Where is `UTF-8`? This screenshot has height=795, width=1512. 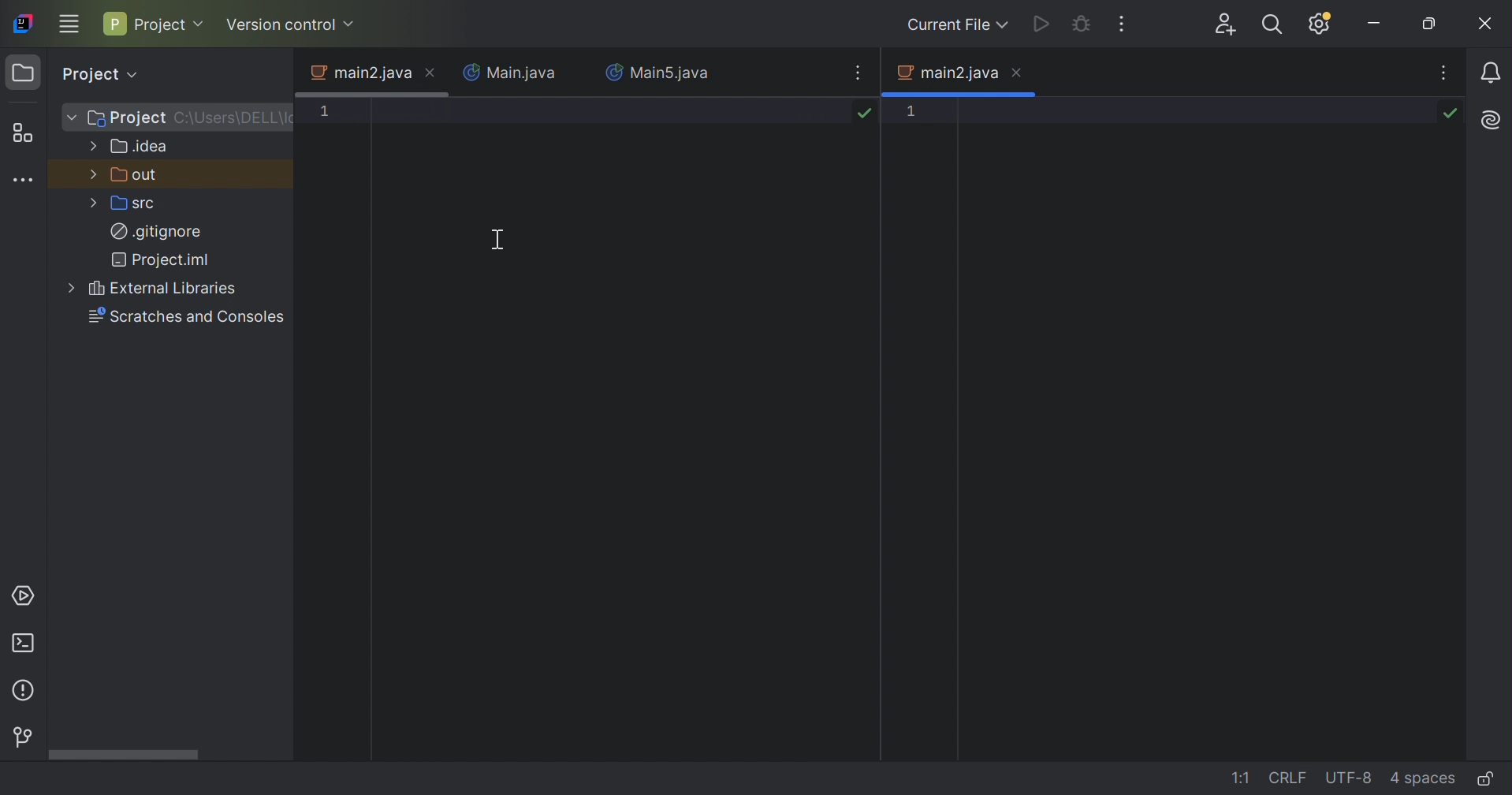 UTF-8 is located at coordinates (1351, 778).